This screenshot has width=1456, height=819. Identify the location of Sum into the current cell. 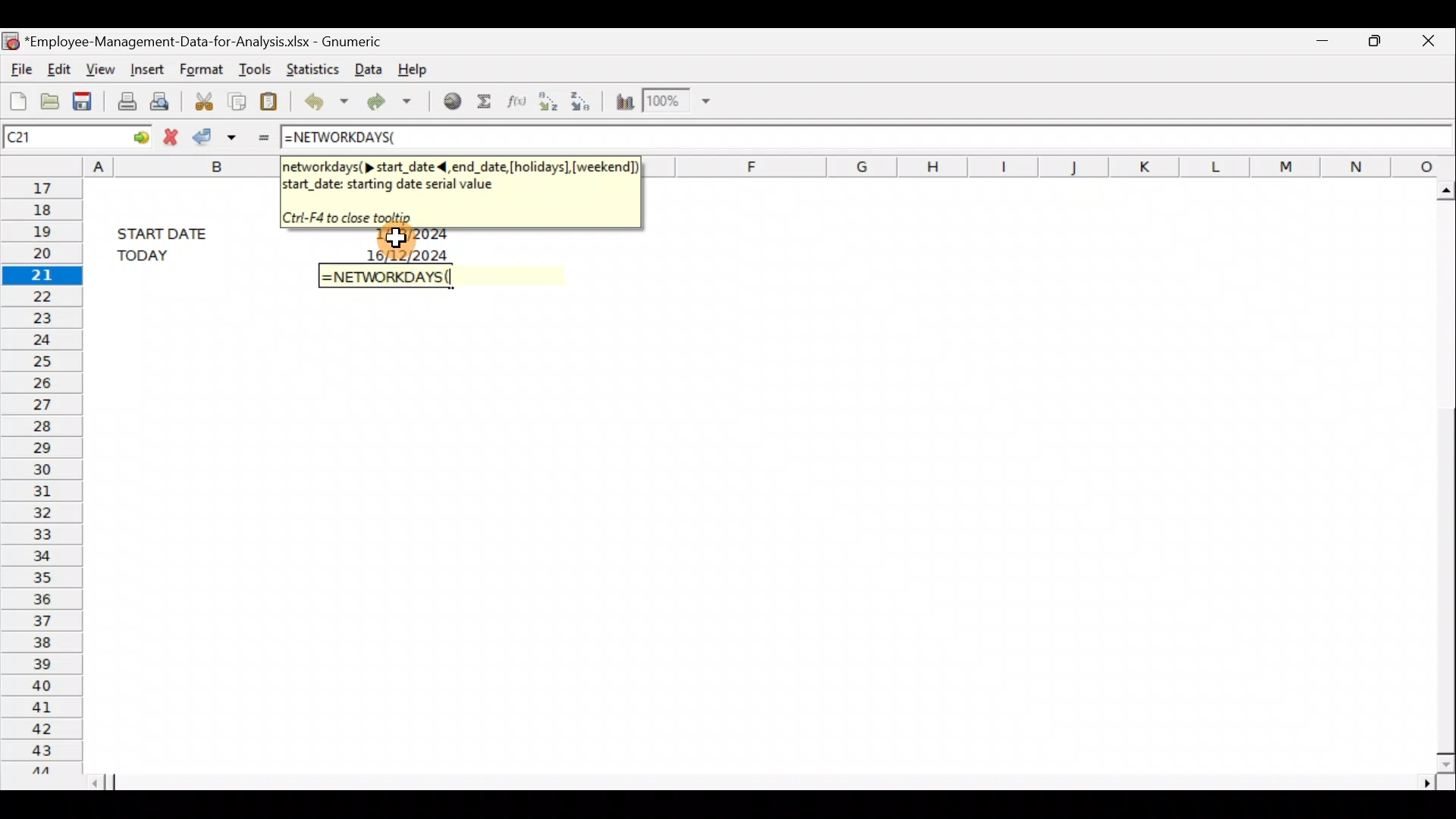
(484, 102).